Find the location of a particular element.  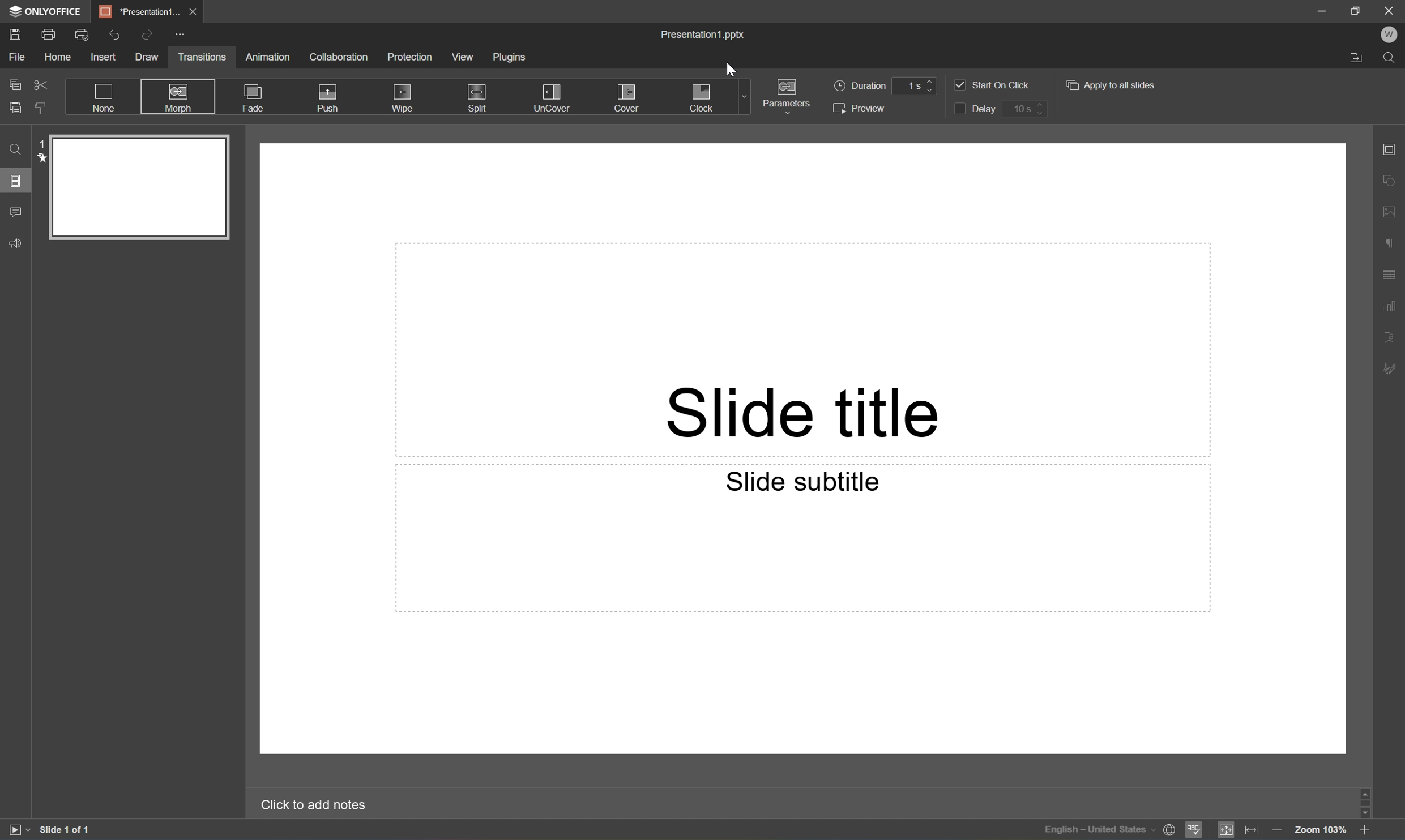

Paragraph settings is located at coordinates (1391, 245).